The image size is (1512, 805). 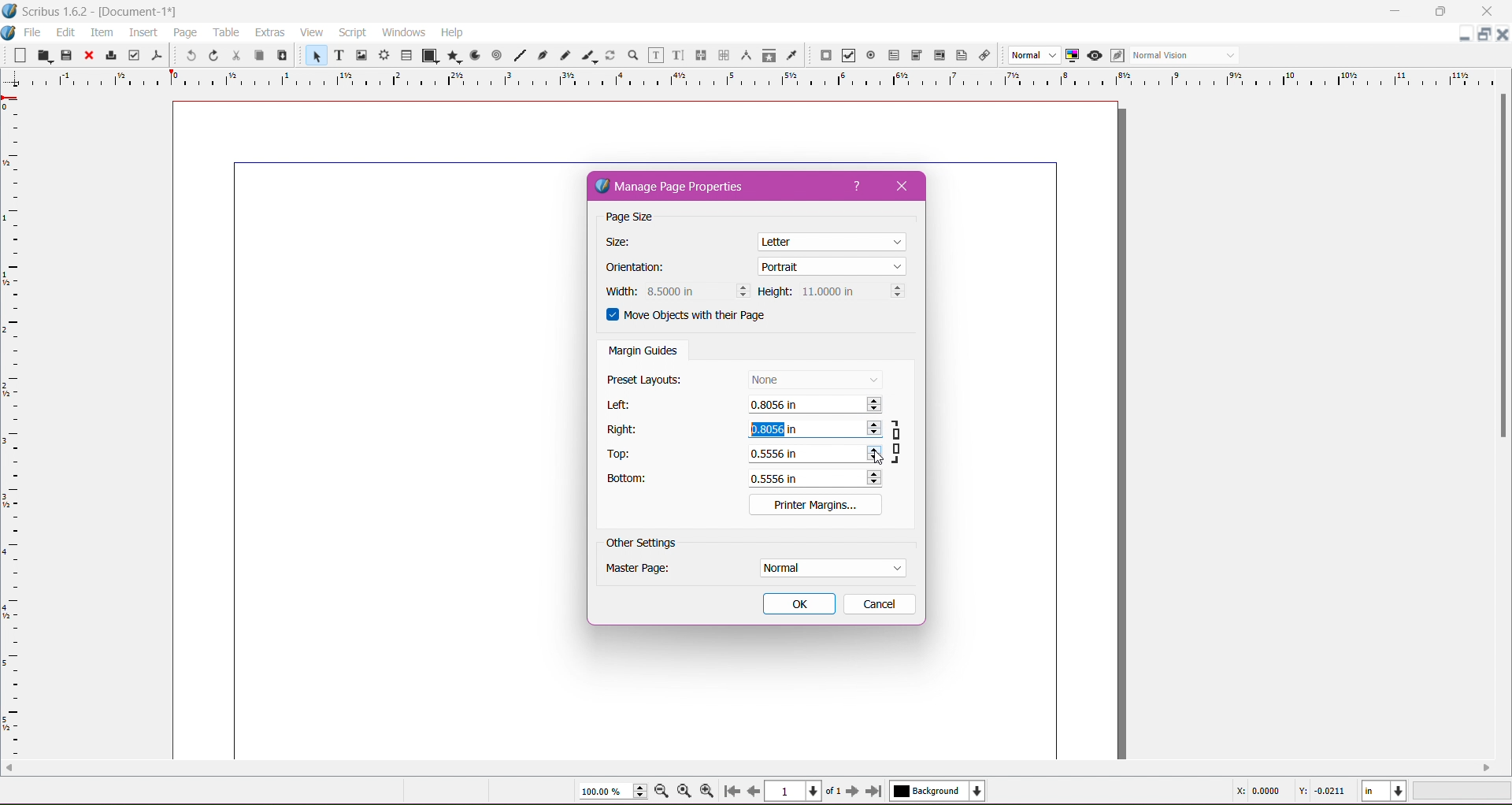 I want to click on Line, so click(x=520, y=54).